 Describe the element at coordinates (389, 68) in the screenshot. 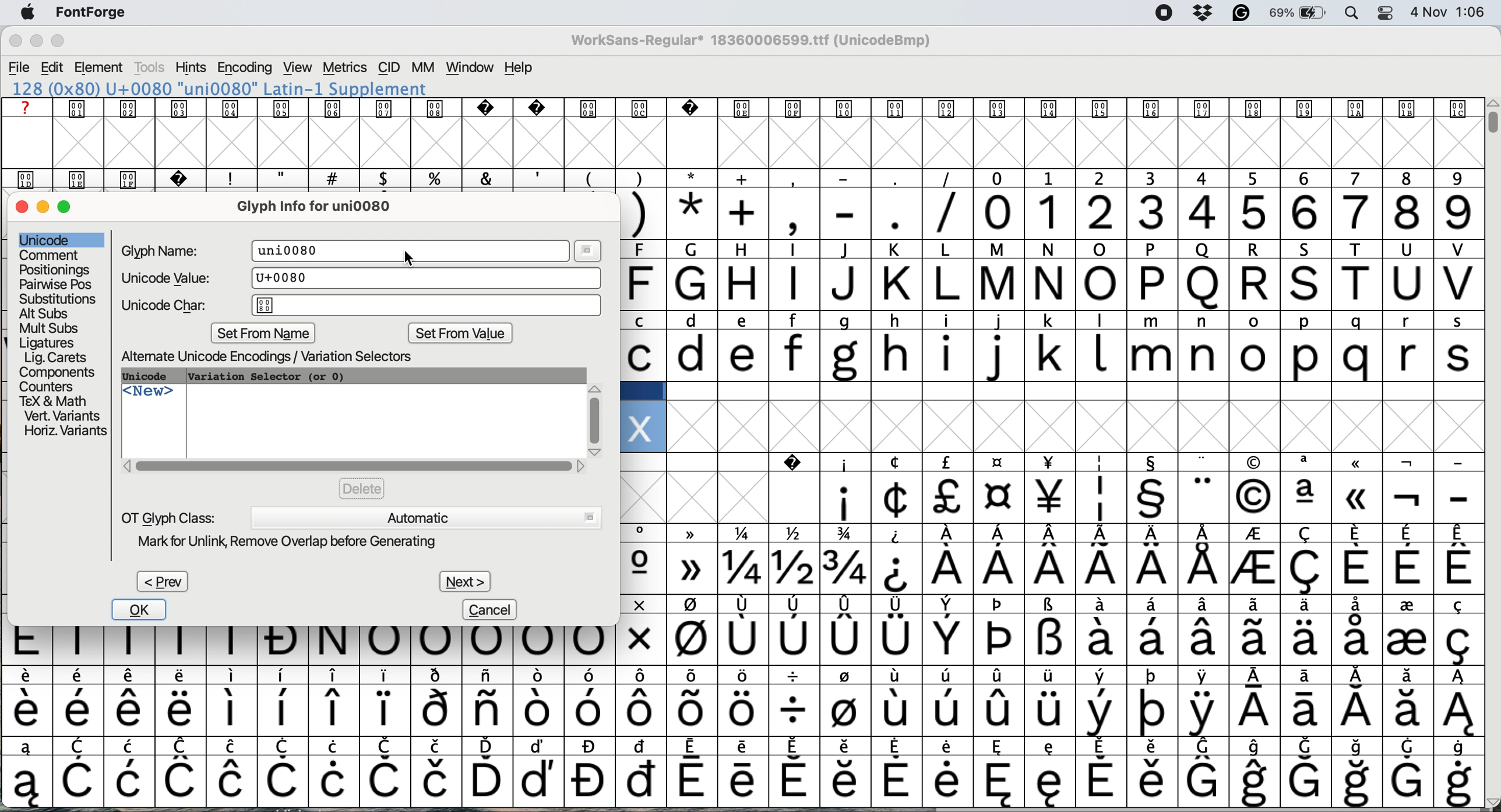

I see `cid` at that location.